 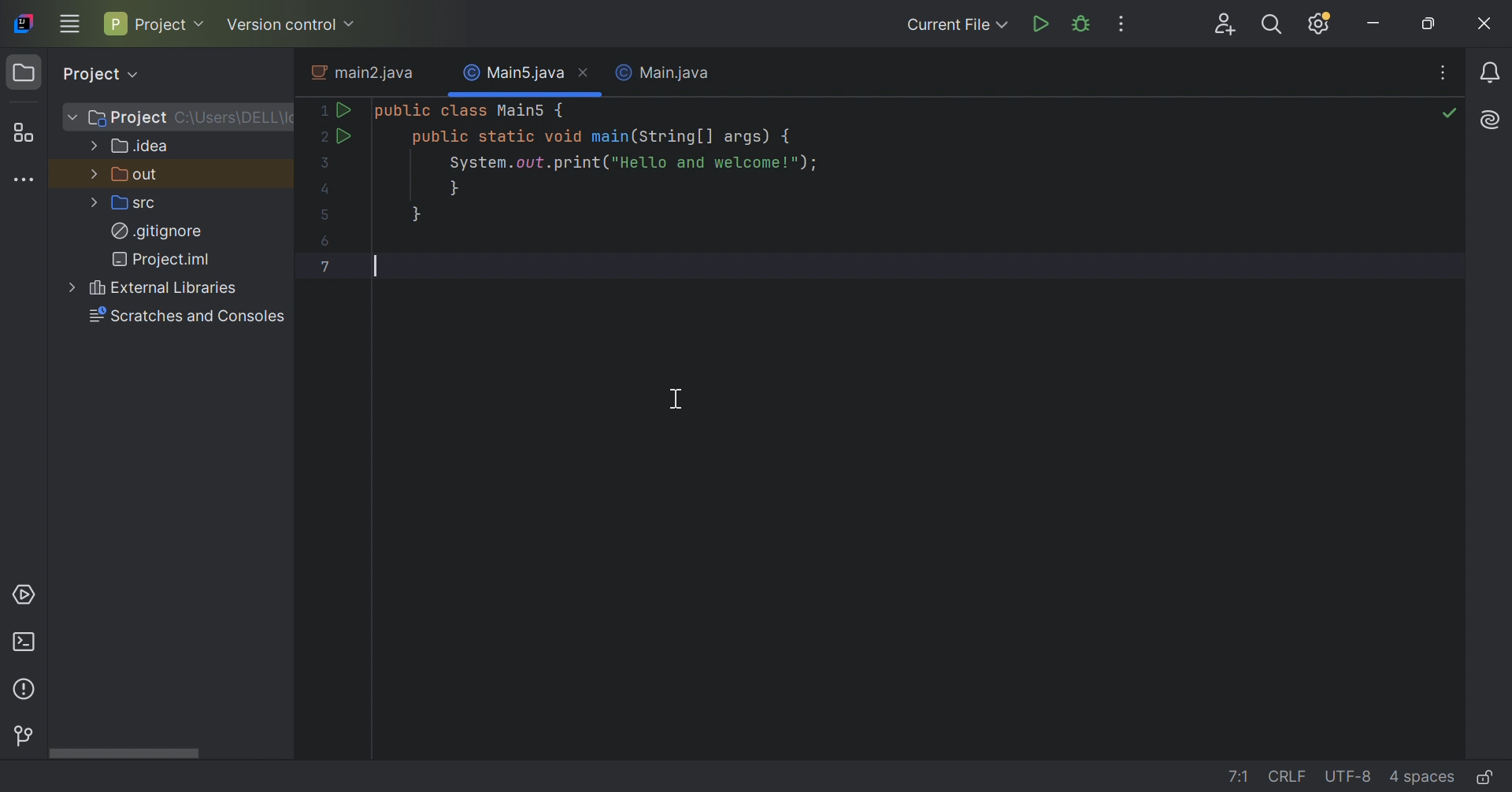 What do you see at coordinates (325, 215) in the screenshot?
I see `5` at bounding box center [325, 215].